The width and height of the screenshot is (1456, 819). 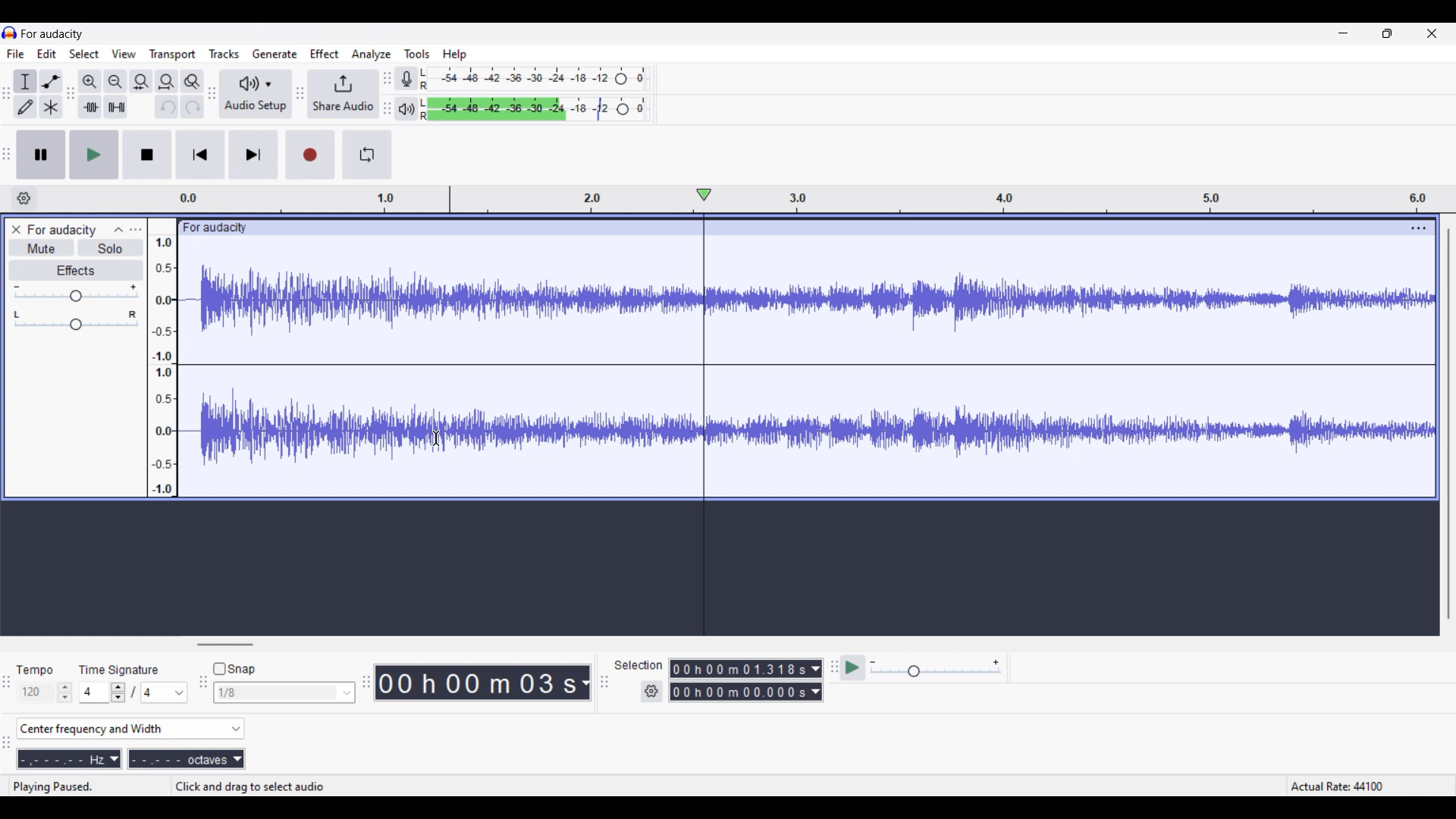 I want to click on Zoom in, so click(x=89, y=82).